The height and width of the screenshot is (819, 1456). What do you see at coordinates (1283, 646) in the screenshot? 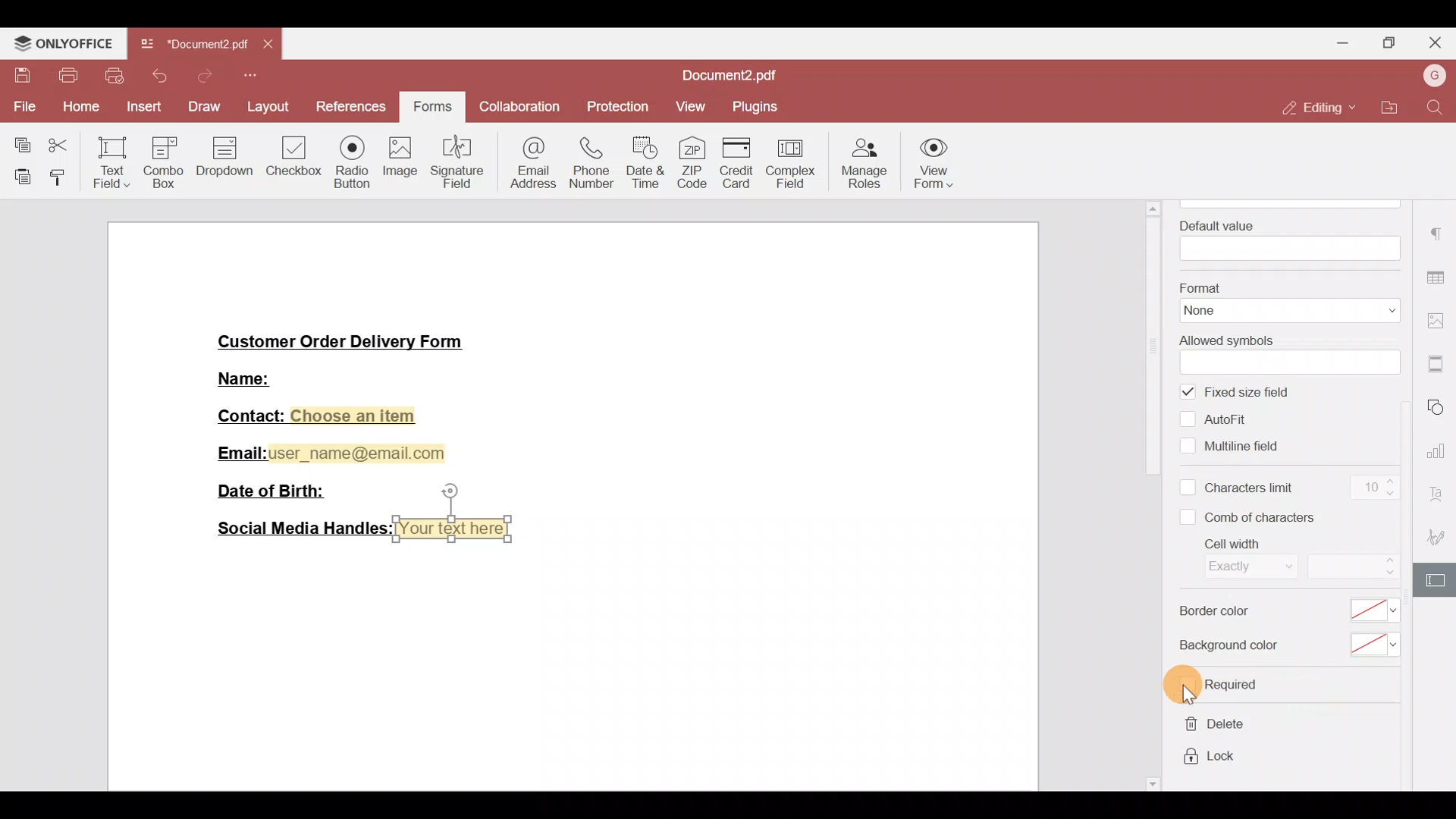
I see `Background color` at bounding box center [1283, 646].